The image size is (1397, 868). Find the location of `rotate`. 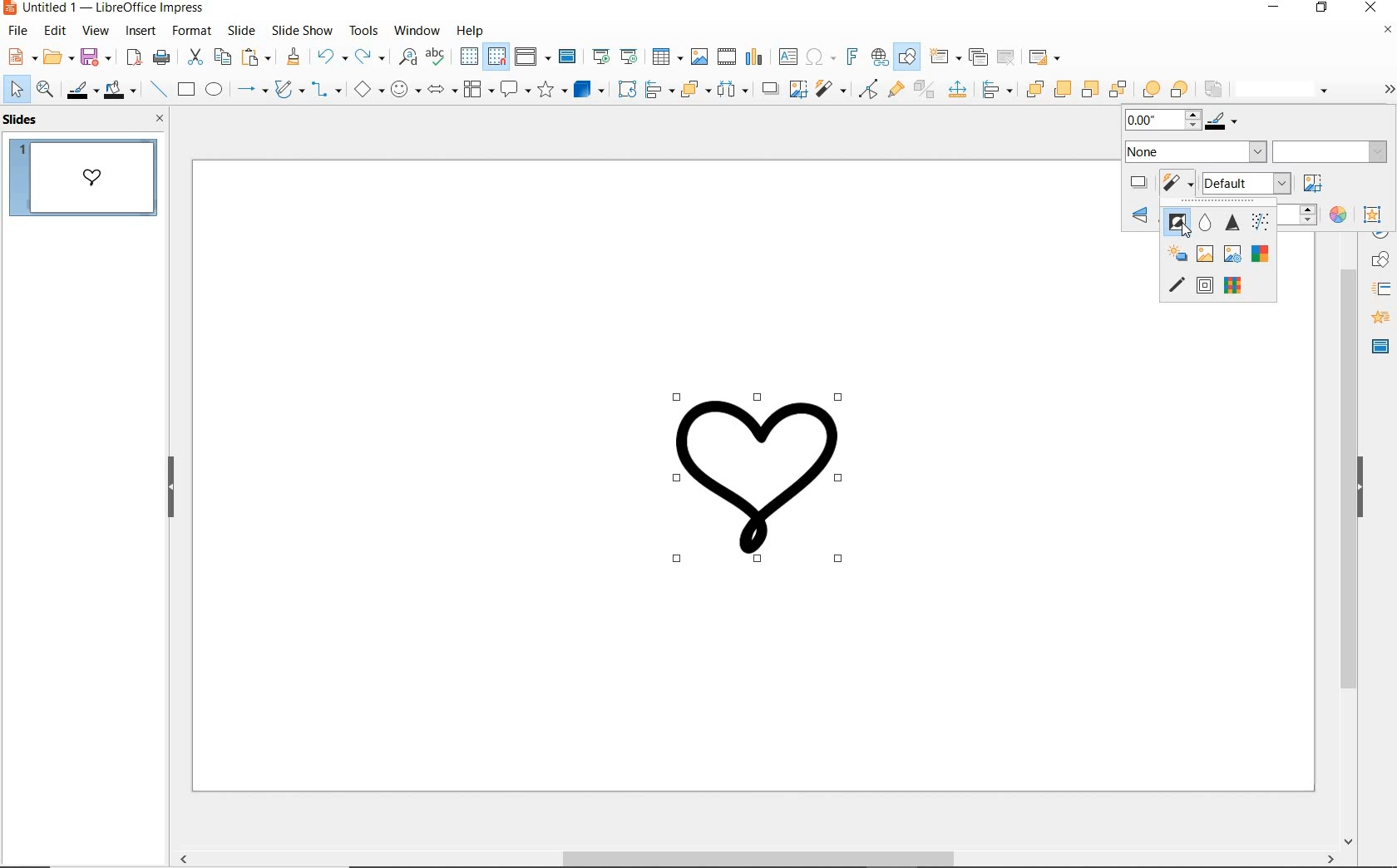

rotate is located at coordinates (627, 89).